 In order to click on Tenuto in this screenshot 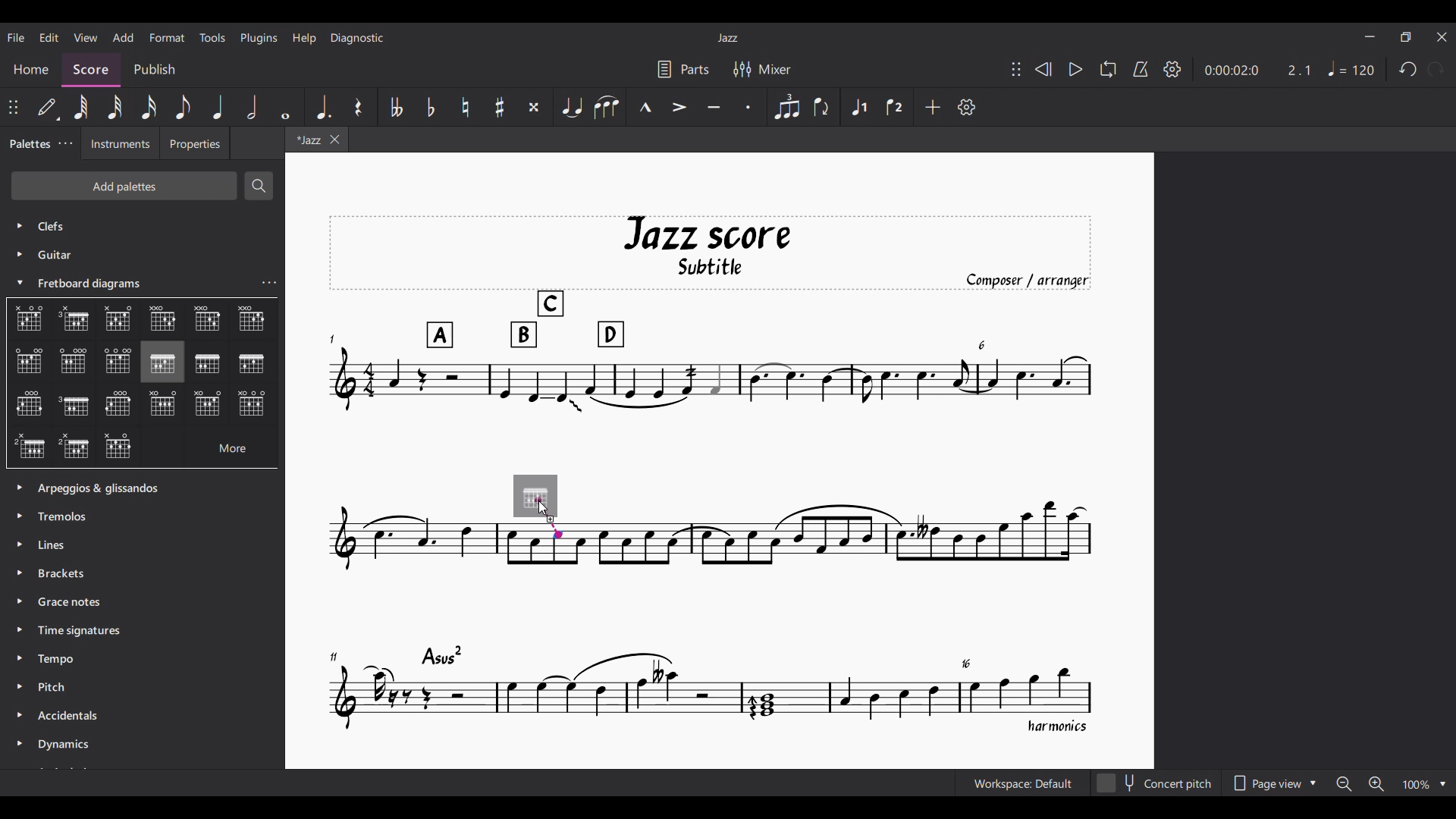, I will do `click(714, 108)`.